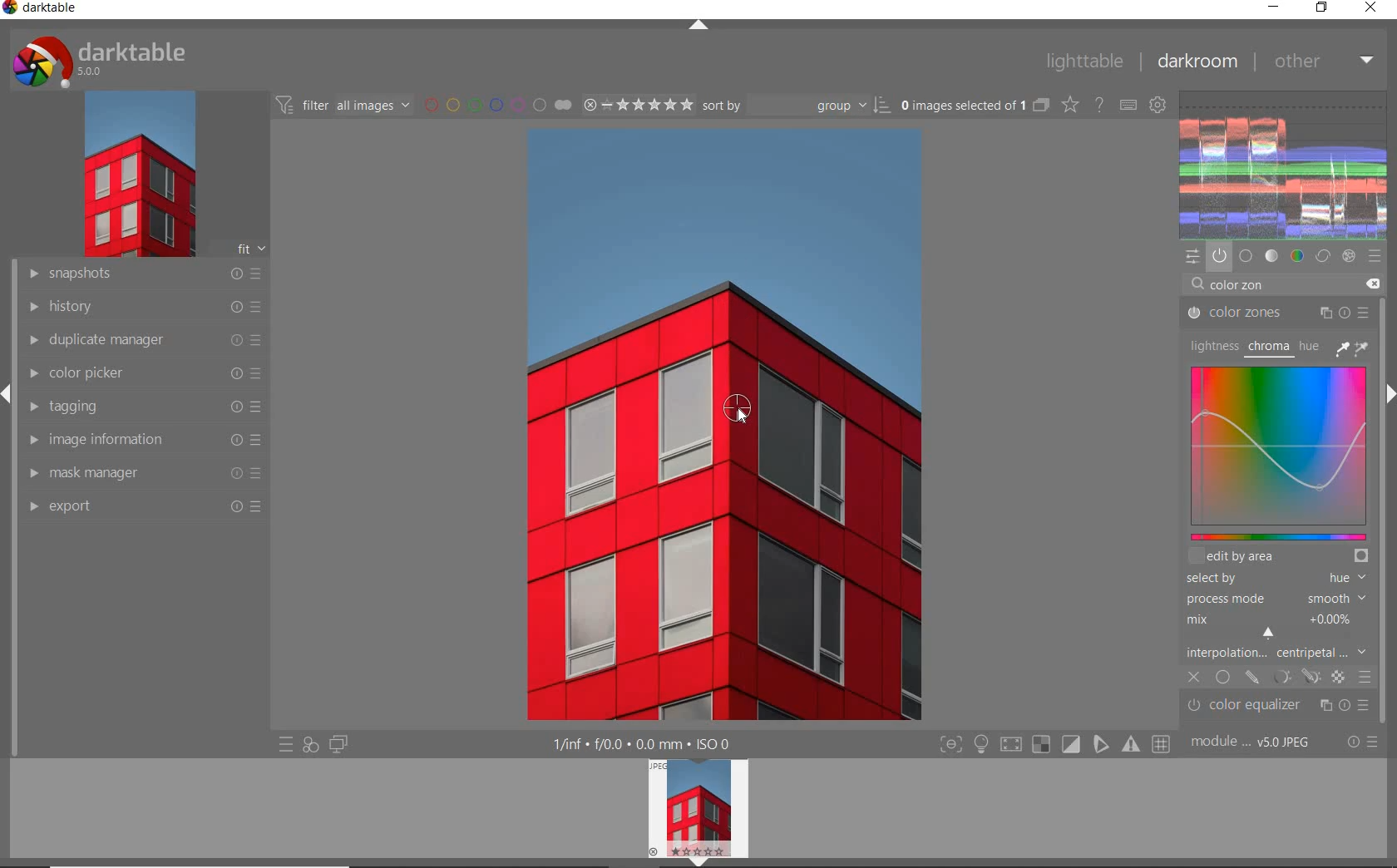  Describe the element at coordinates (146, 507) in the screenshot. I see `export` at that location.